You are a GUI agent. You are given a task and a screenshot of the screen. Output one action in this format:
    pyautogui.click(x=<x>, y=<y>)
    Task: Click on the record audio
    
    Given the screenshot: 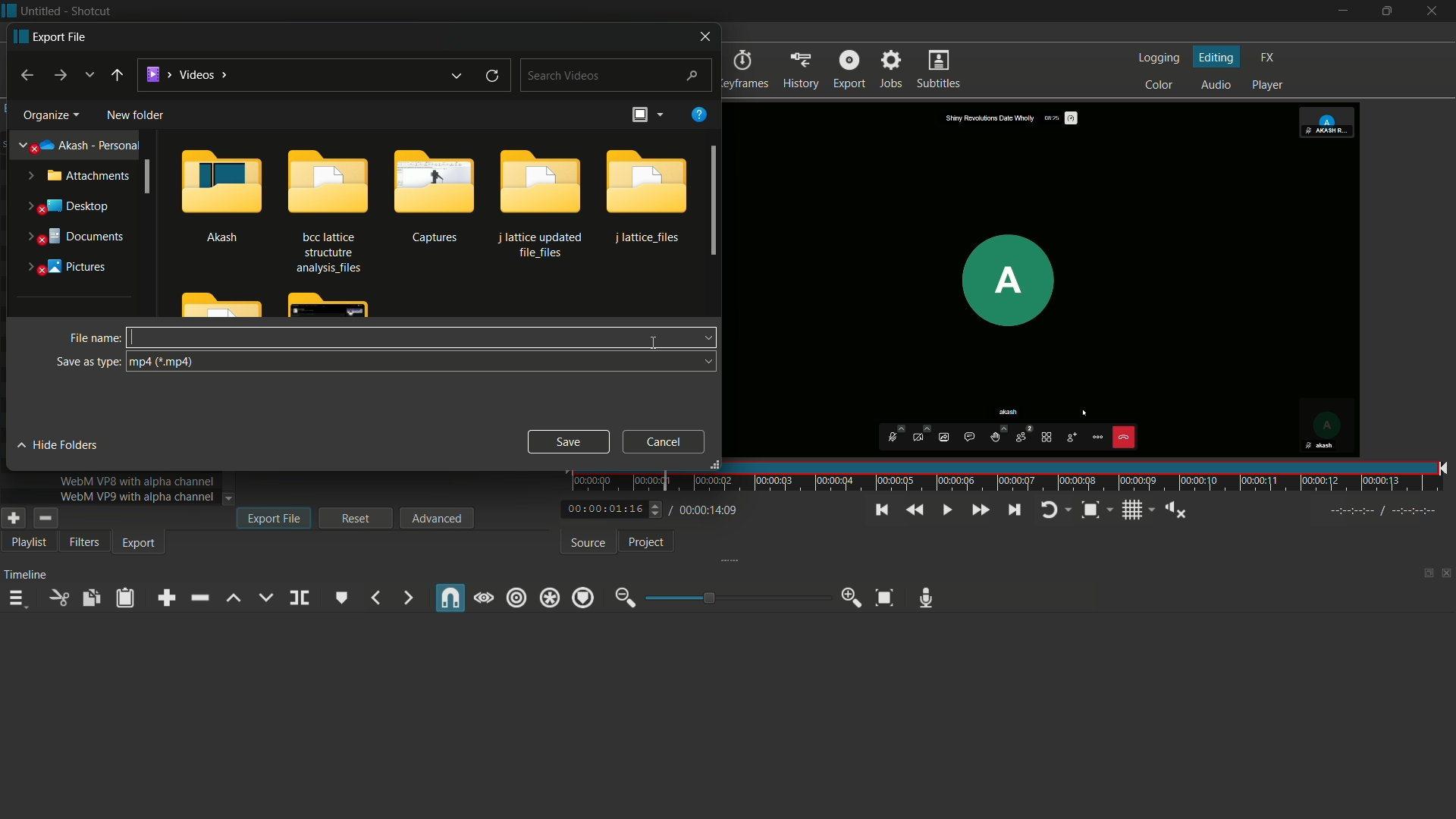 What is the action you would take?
    pyautogui.click(x=925, y=599)
    